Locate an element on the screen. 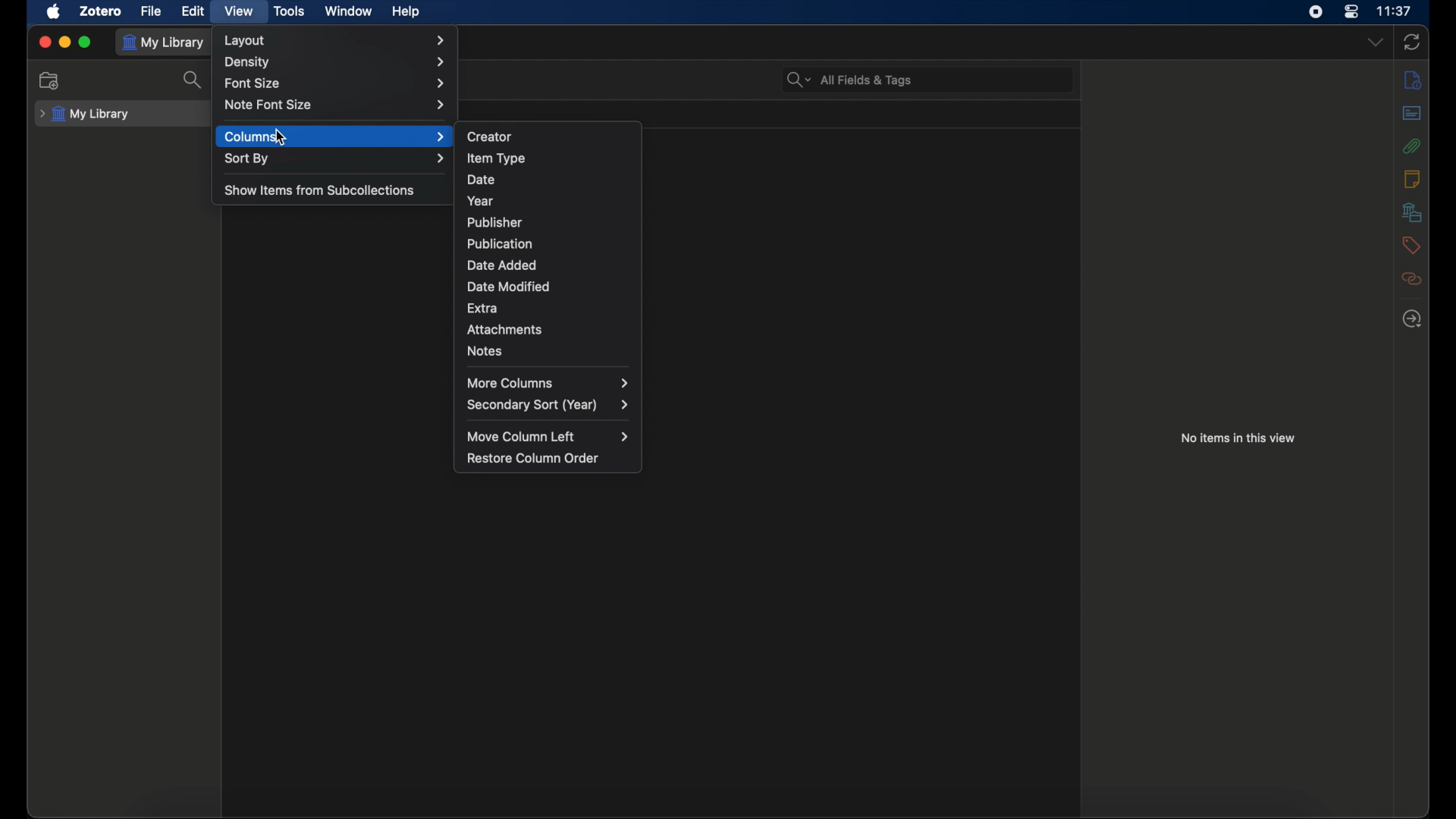 The width and height of the screenshot is (1456, 819). all fields & tags is located at coordinates (850, 79).